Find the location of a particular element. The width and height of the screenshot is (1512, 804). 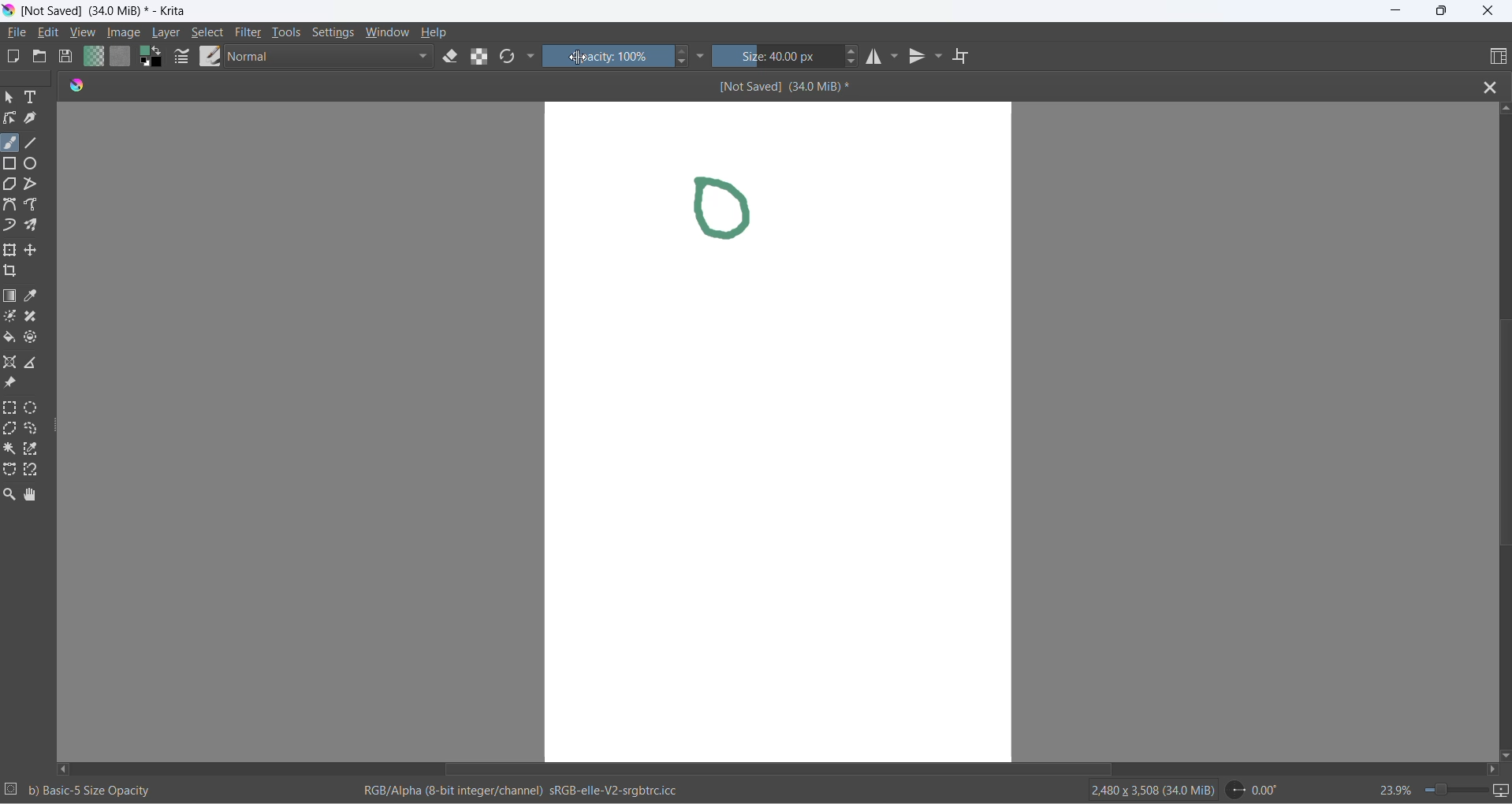

decrease opacity button is located at coordinates (685, 63).